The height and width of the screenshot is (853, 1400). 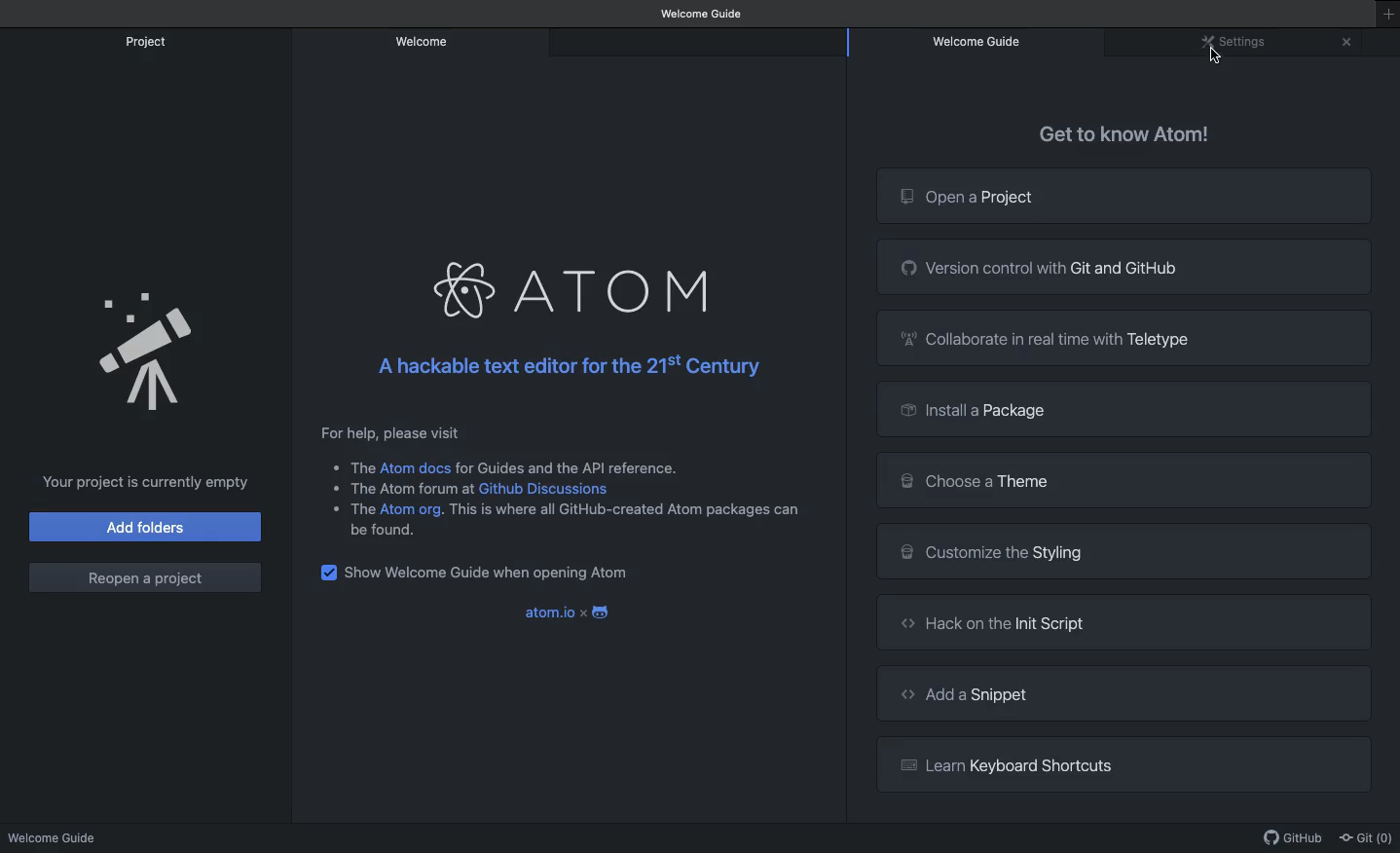 What do you see at coordinates (1124, 764) in the screenshot?
I see `Learn keyboard shortcuts` at bounding box center [1124, 764].